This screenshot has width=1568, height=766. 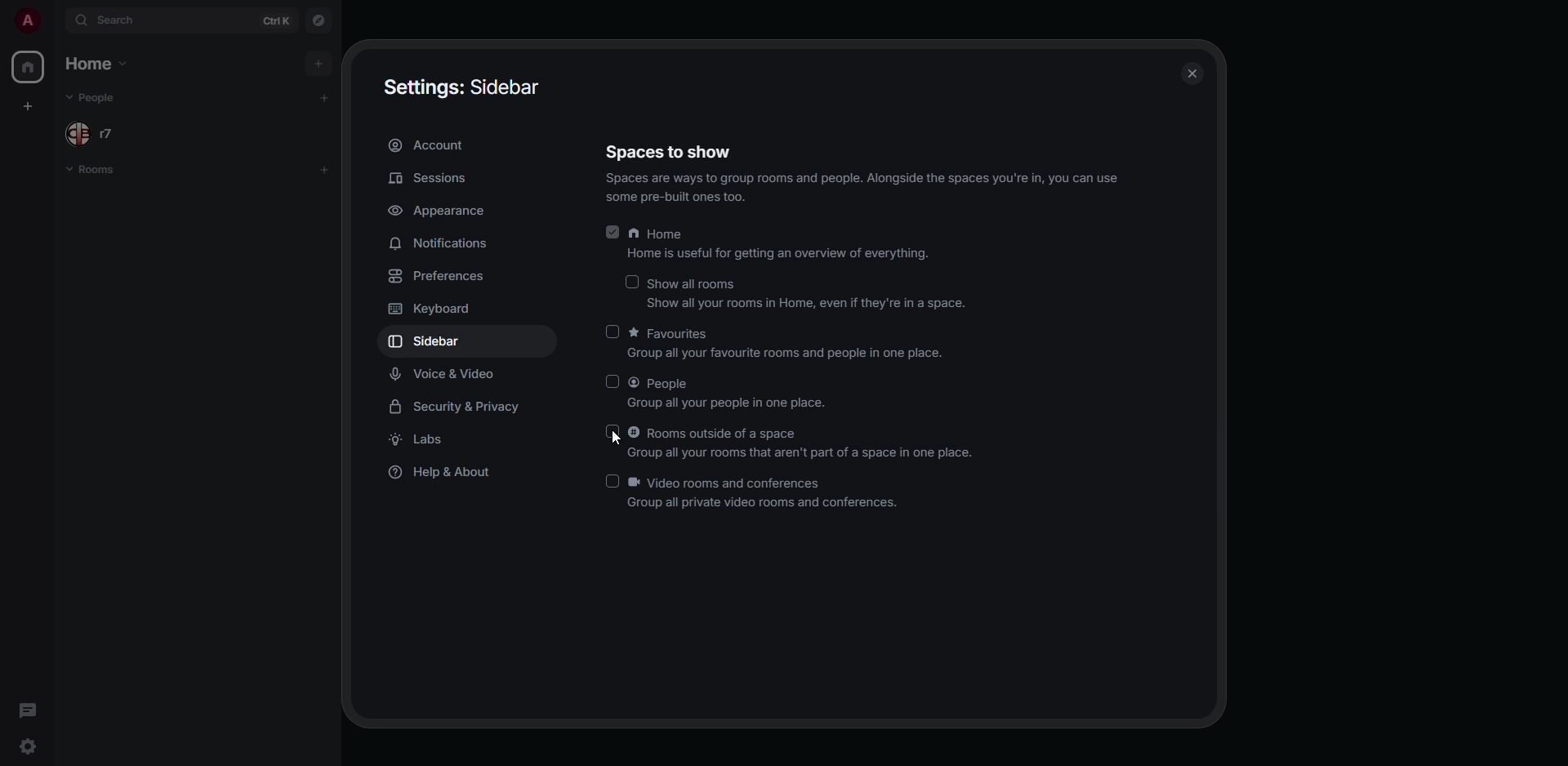 I want to click on appearance, so click(x=444, y=206).